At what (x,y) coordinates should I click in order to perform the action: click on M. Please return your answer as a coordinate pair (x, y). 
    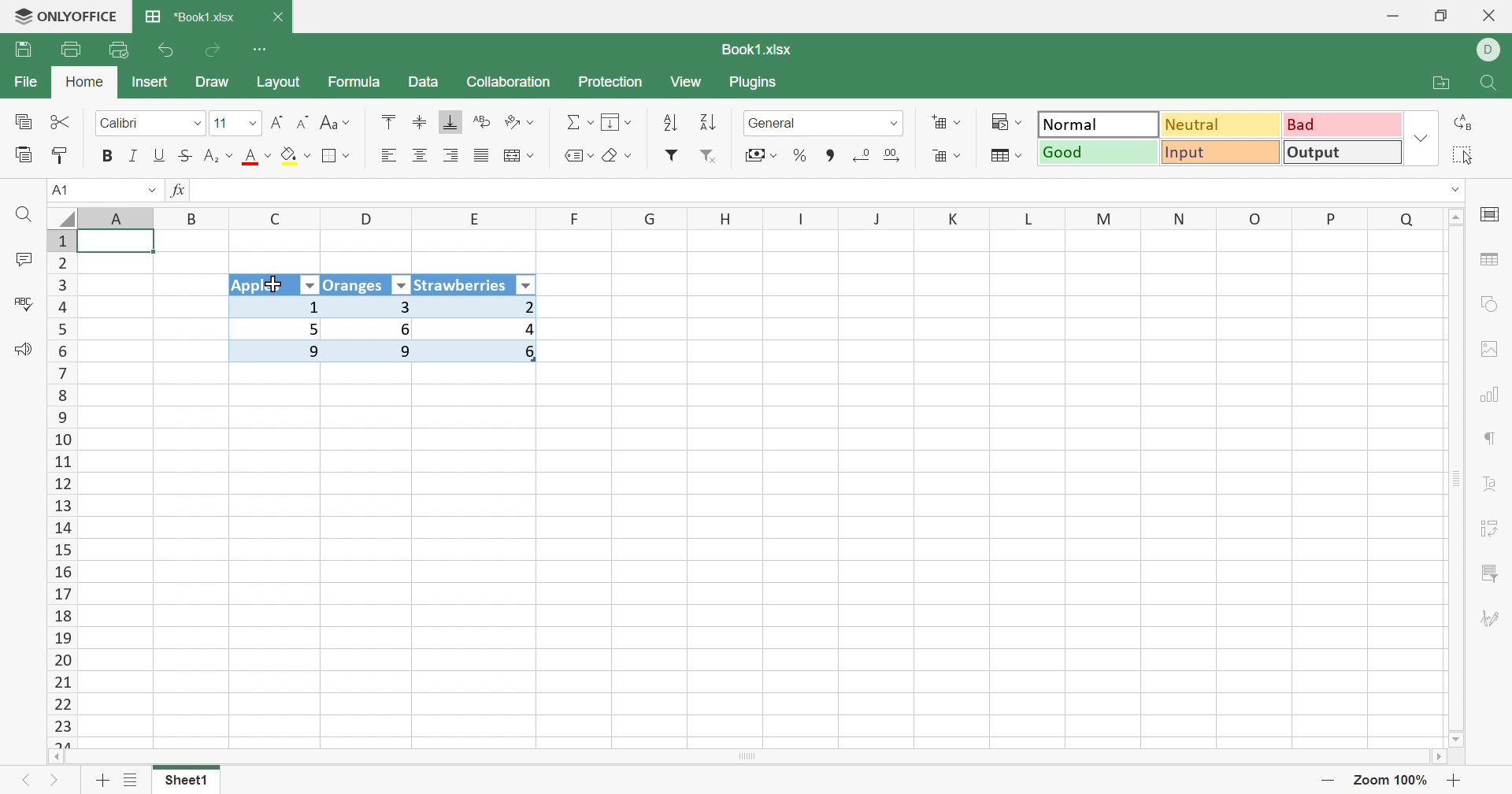
    Looking at the image, I should click on (1104, 218).